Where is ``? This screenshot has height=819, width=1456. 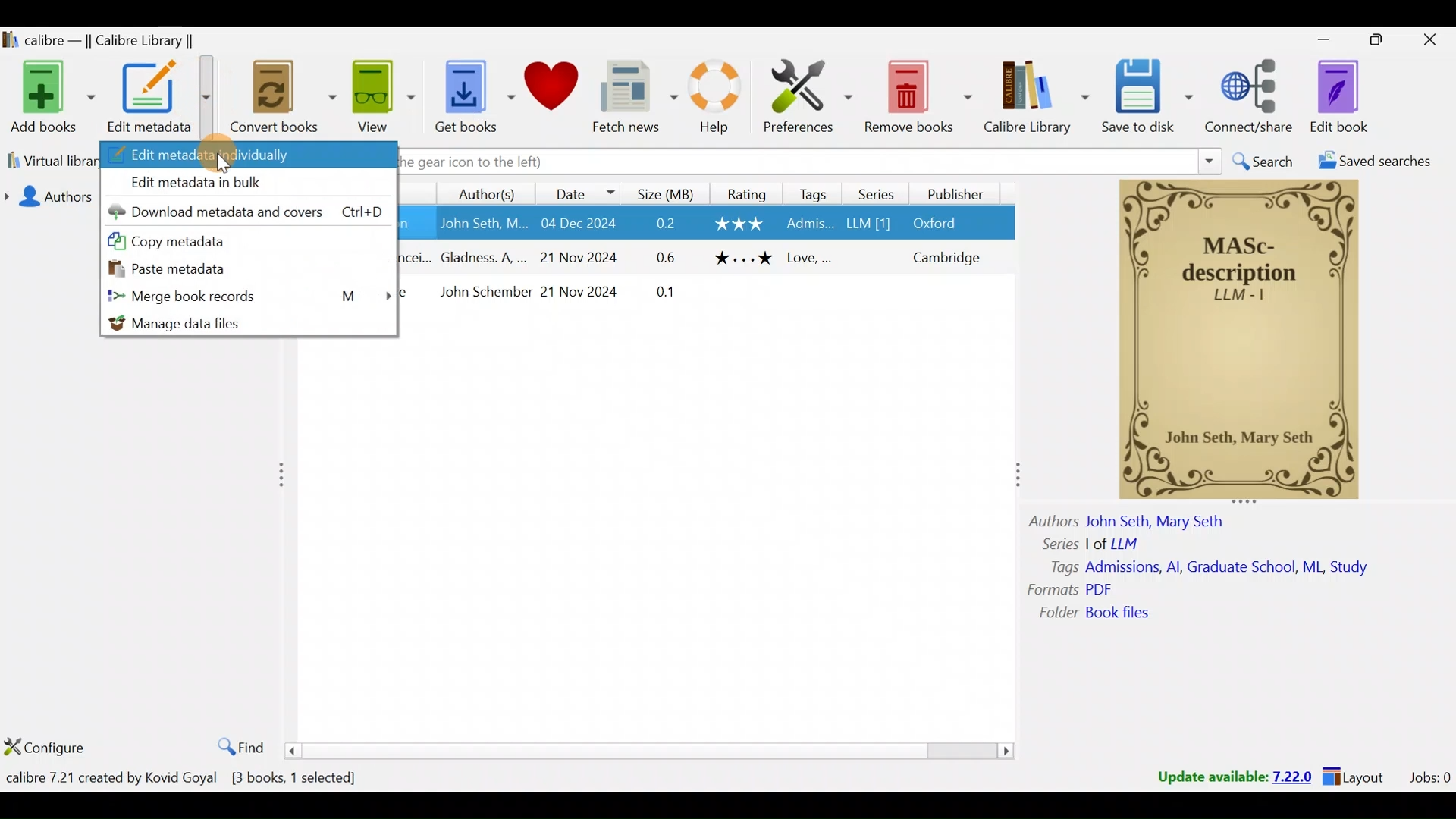  is located at coordinates (1126, 615).